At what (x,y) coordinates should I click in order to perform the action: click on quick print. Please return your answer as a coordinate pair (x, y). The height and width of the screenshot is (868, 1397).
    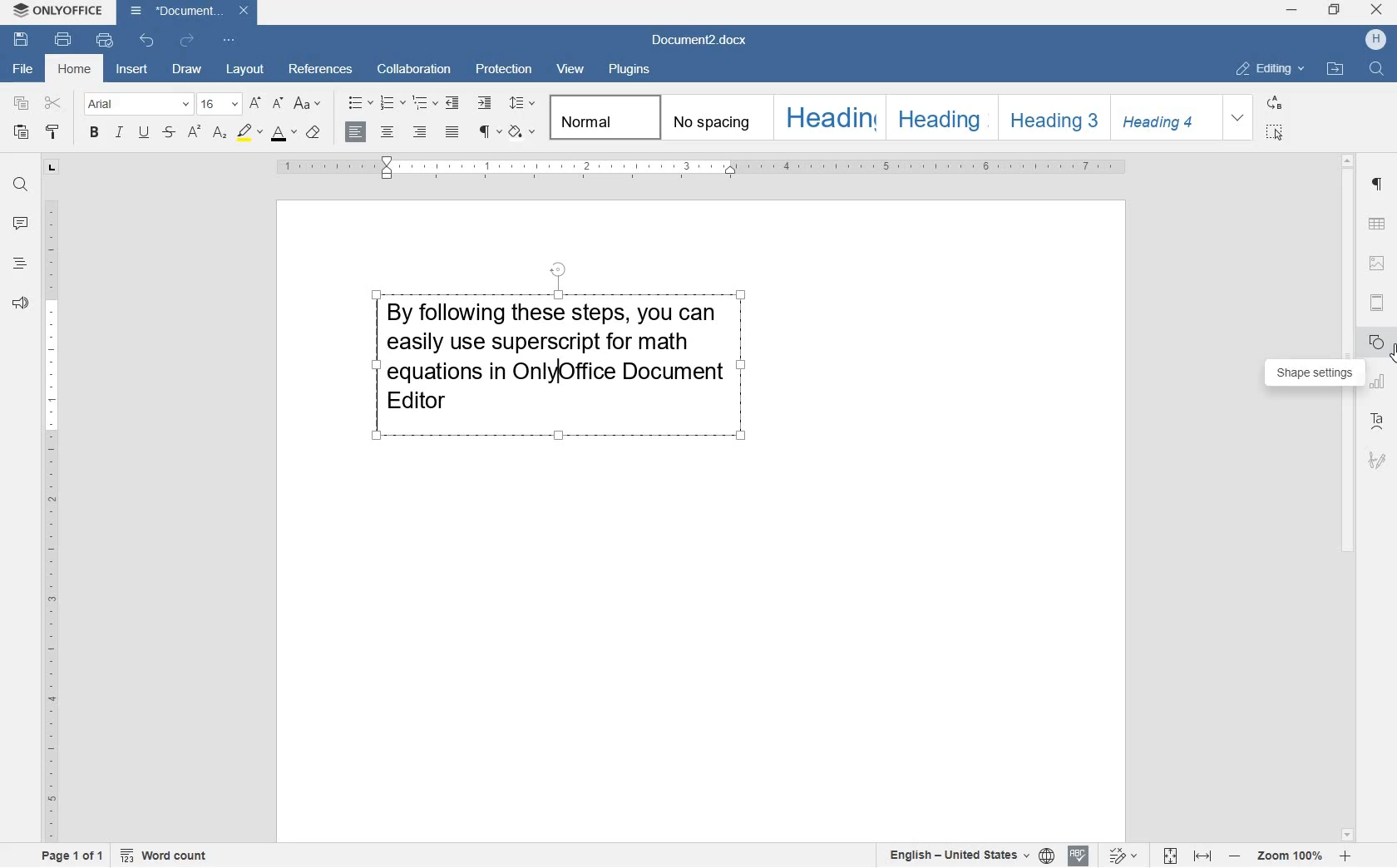
    Looking at the image, I should click on (105, 40).